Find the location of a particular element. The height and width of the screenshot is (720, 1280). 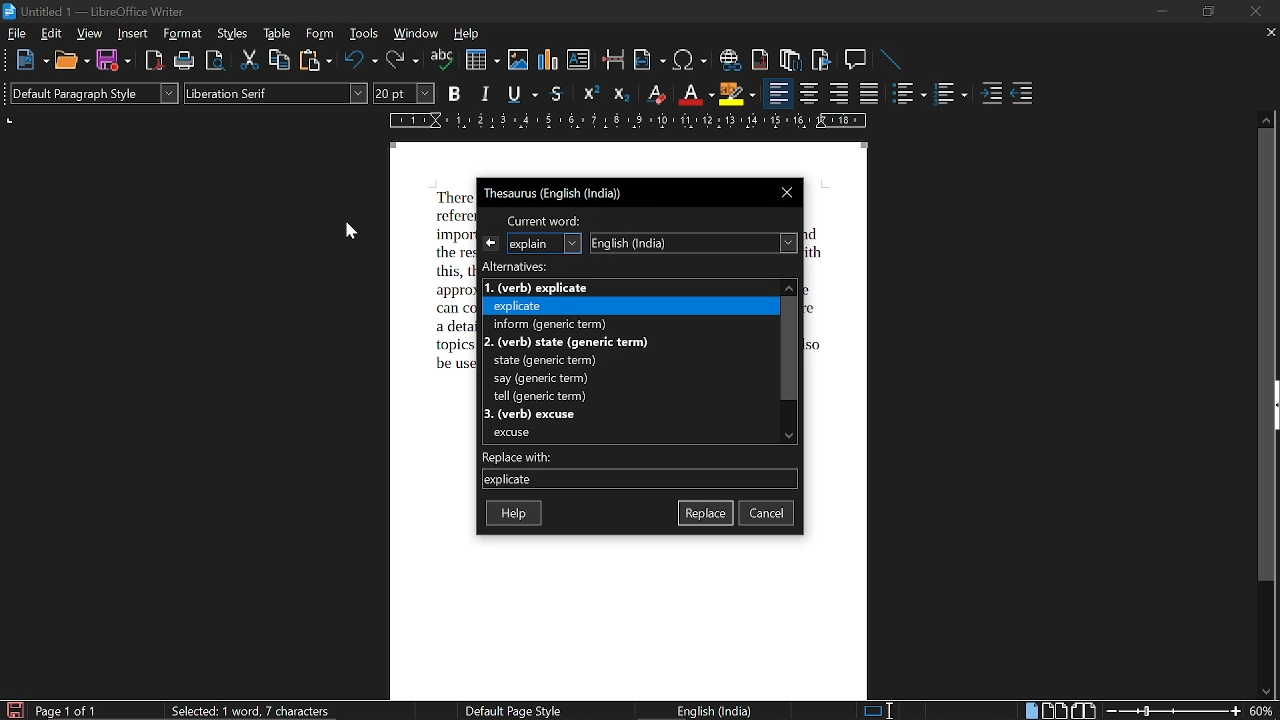

save is located at coordinates (114, 61).